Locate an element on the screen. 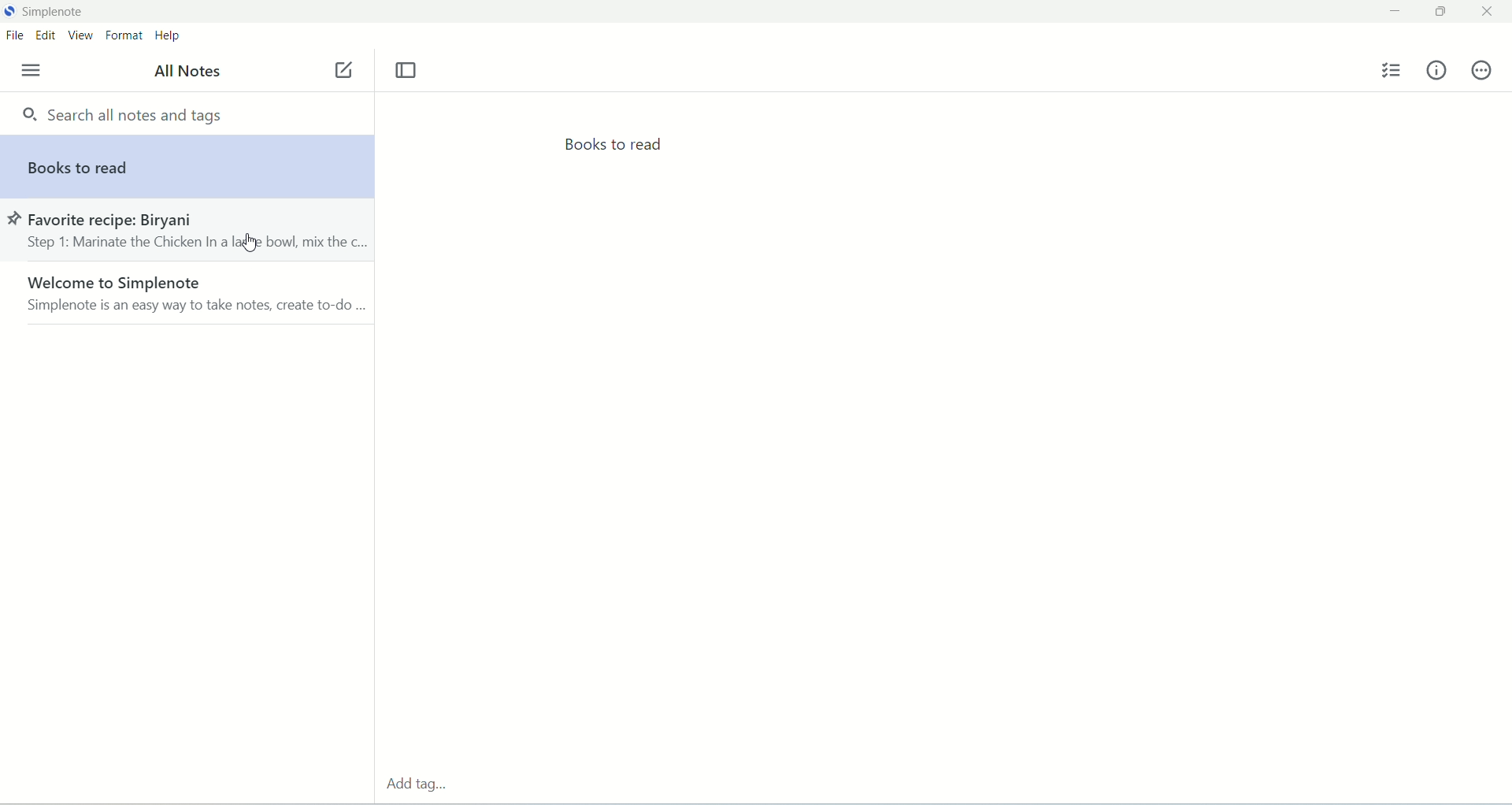 This screenshot has height=805, width=1512. actions is located at coordinates (1481, 70).